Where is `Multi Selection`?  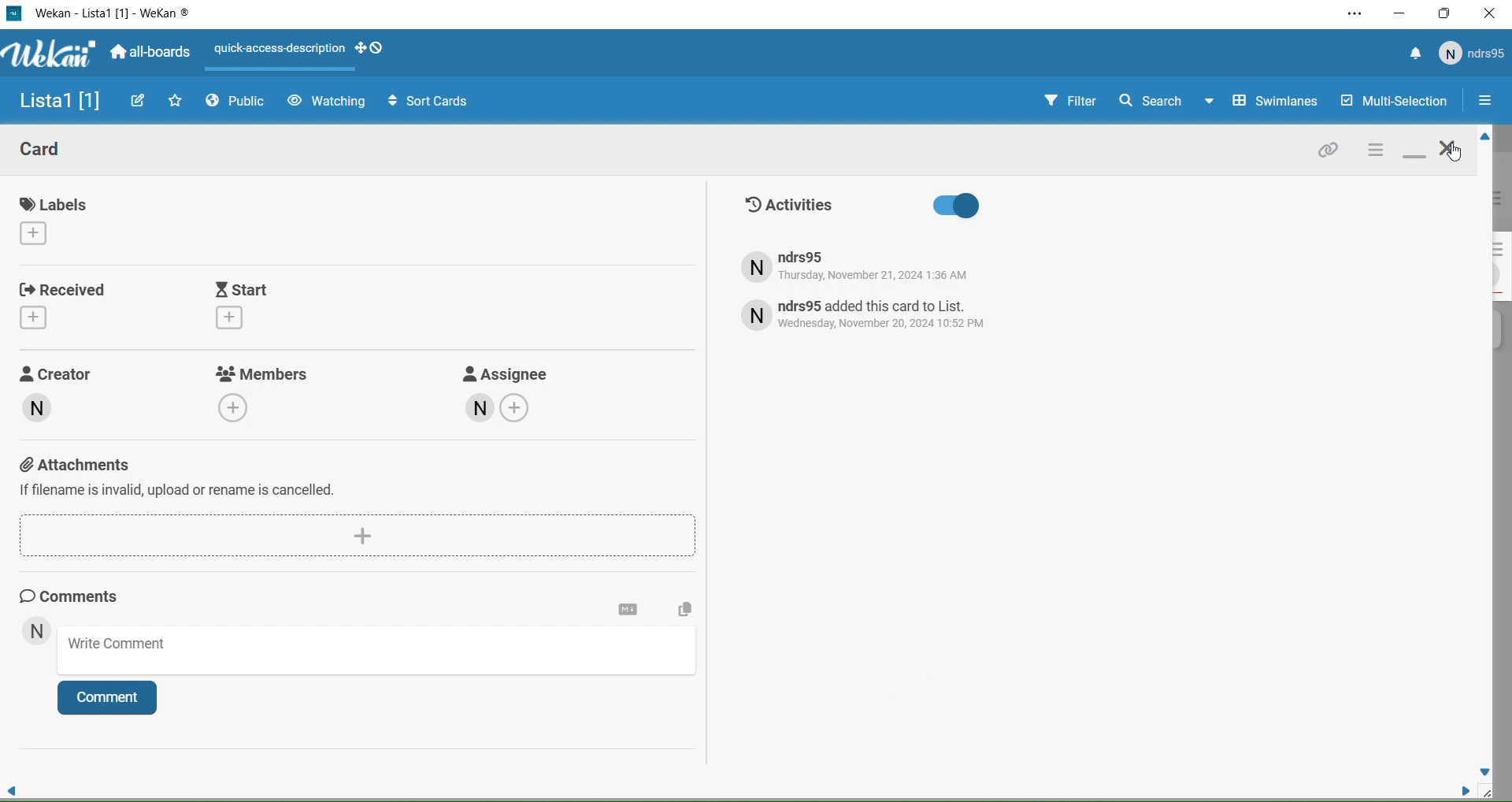
Multi Selection is located at coordinates (1392, 102).